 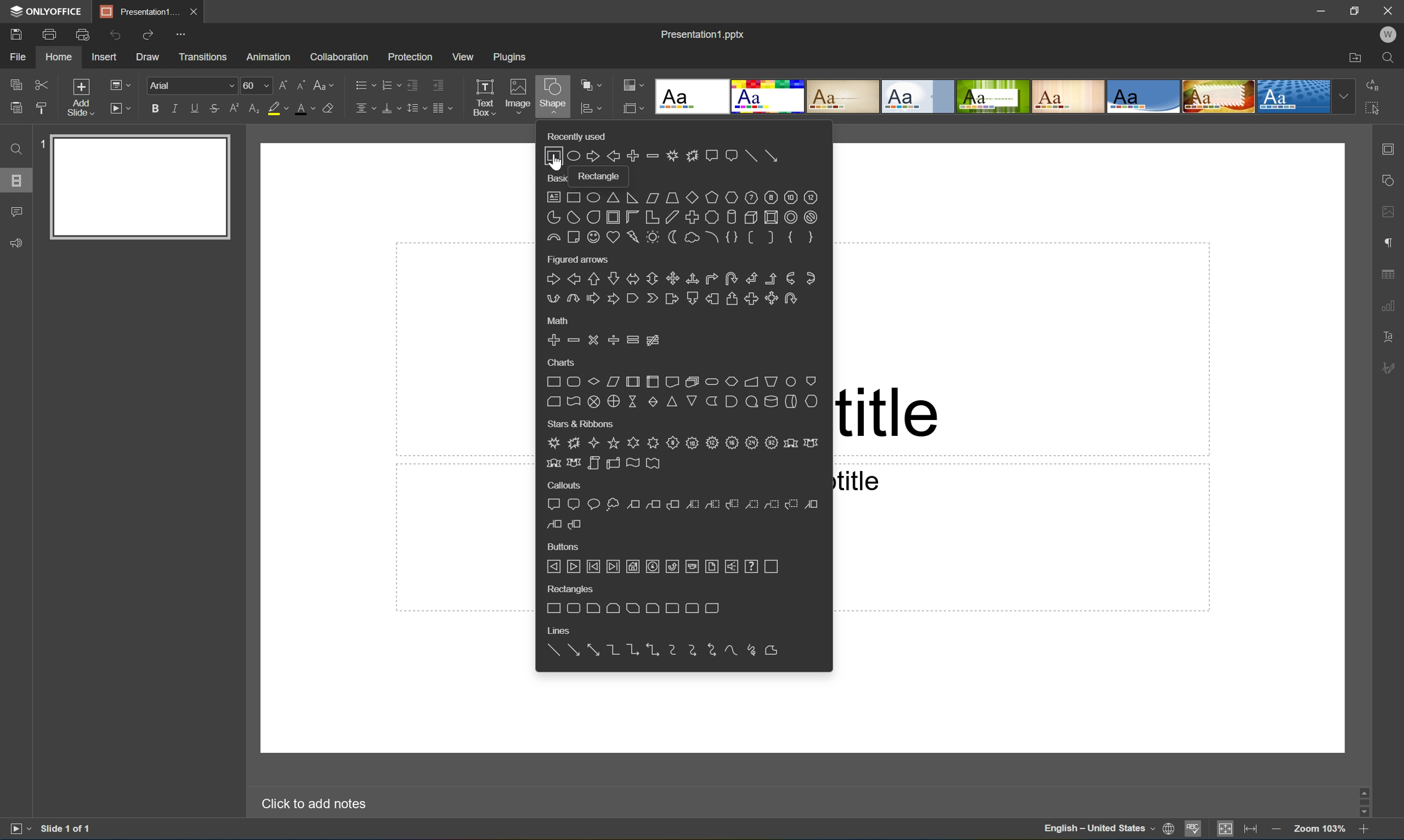 I want to click on Draw, so click(x=149, y=58).